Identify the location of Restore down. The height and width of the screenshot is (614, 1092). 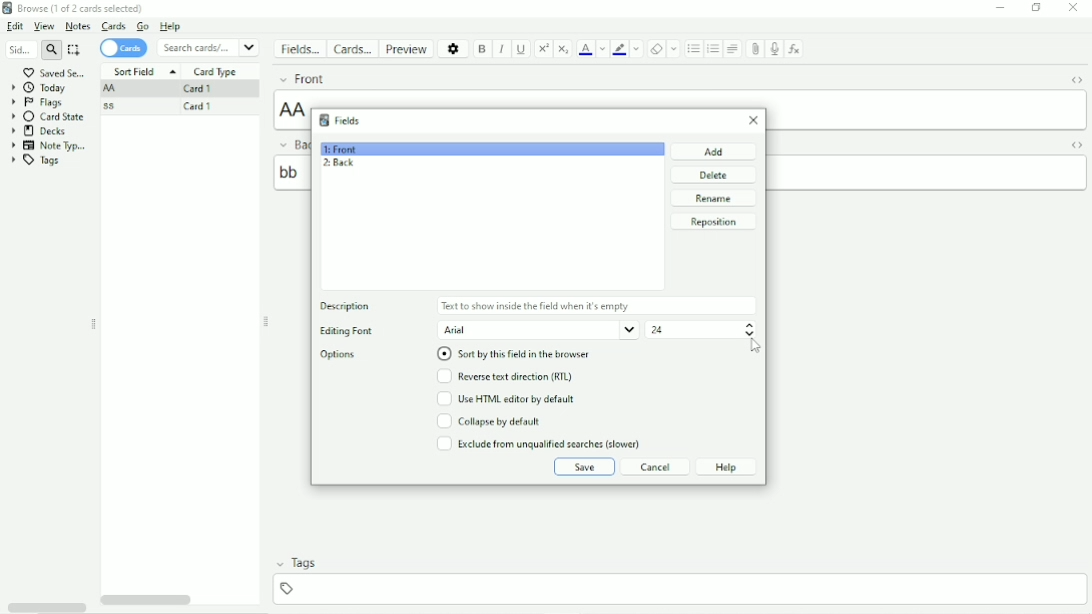
(1037, 9).